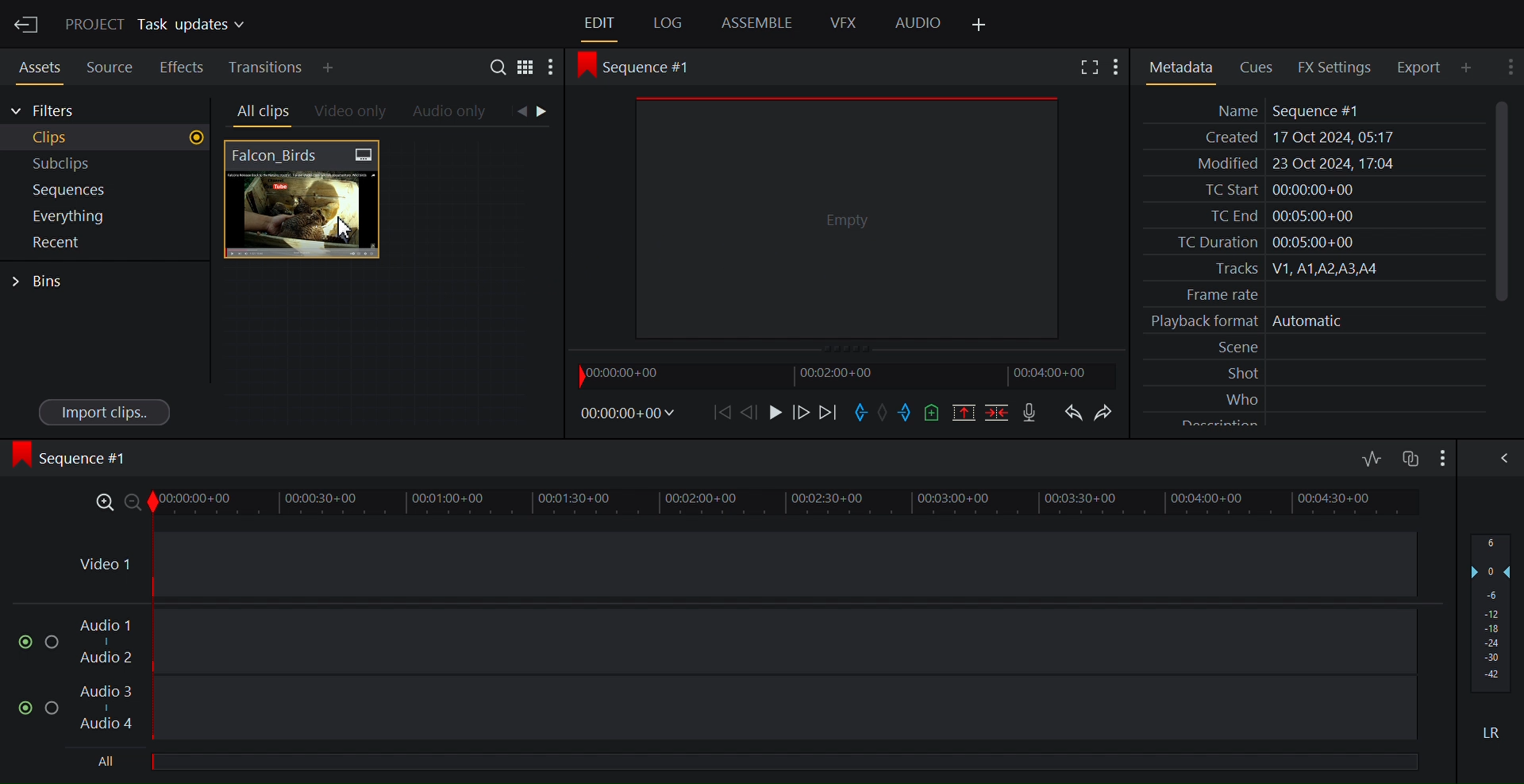 This screenshot has width=1524, height=784. I want to click on TC End, so click(1313, 214).